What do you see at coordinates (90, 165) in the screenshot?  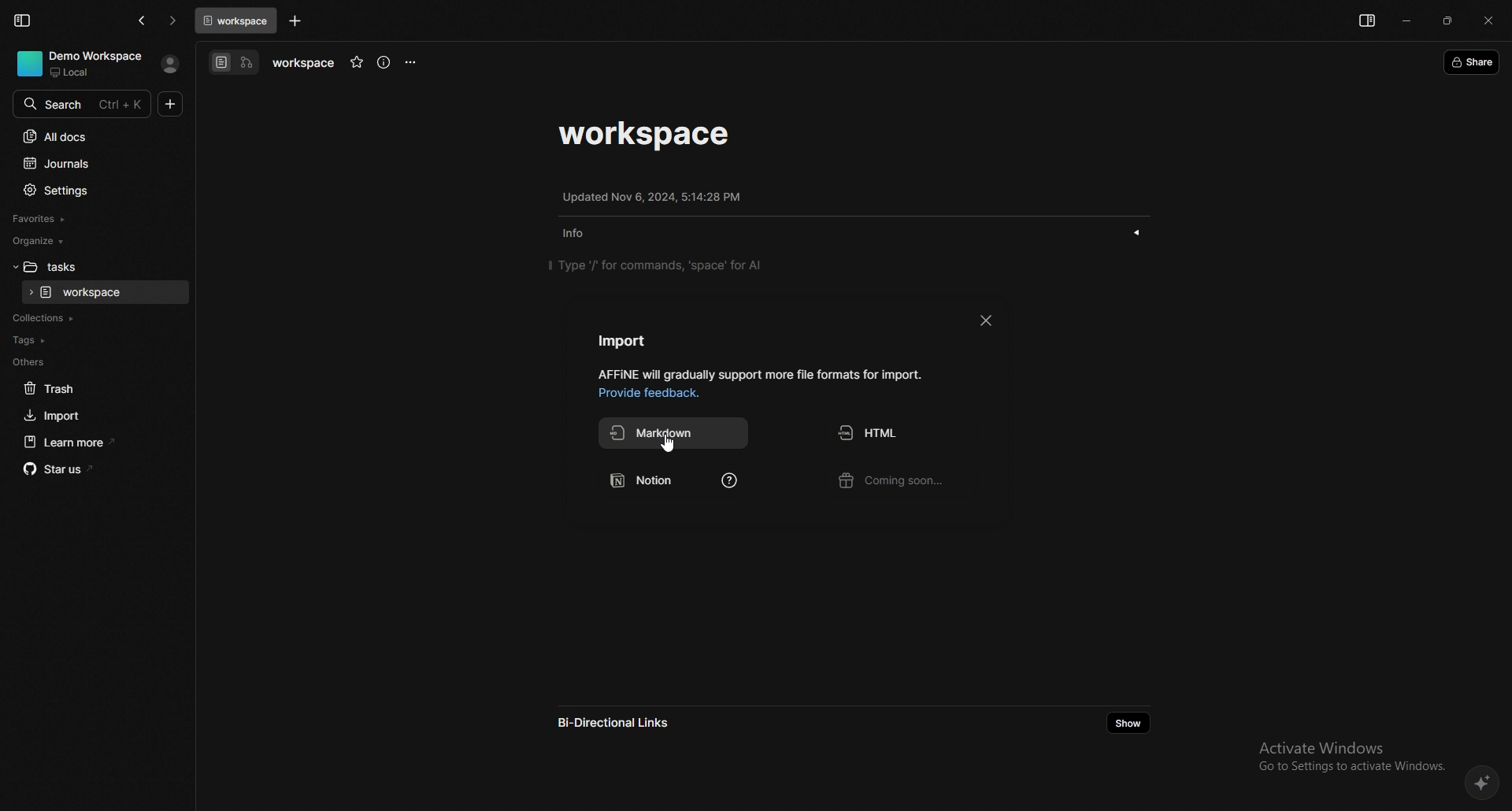 I see `journals` at bounding box center [90, 165].